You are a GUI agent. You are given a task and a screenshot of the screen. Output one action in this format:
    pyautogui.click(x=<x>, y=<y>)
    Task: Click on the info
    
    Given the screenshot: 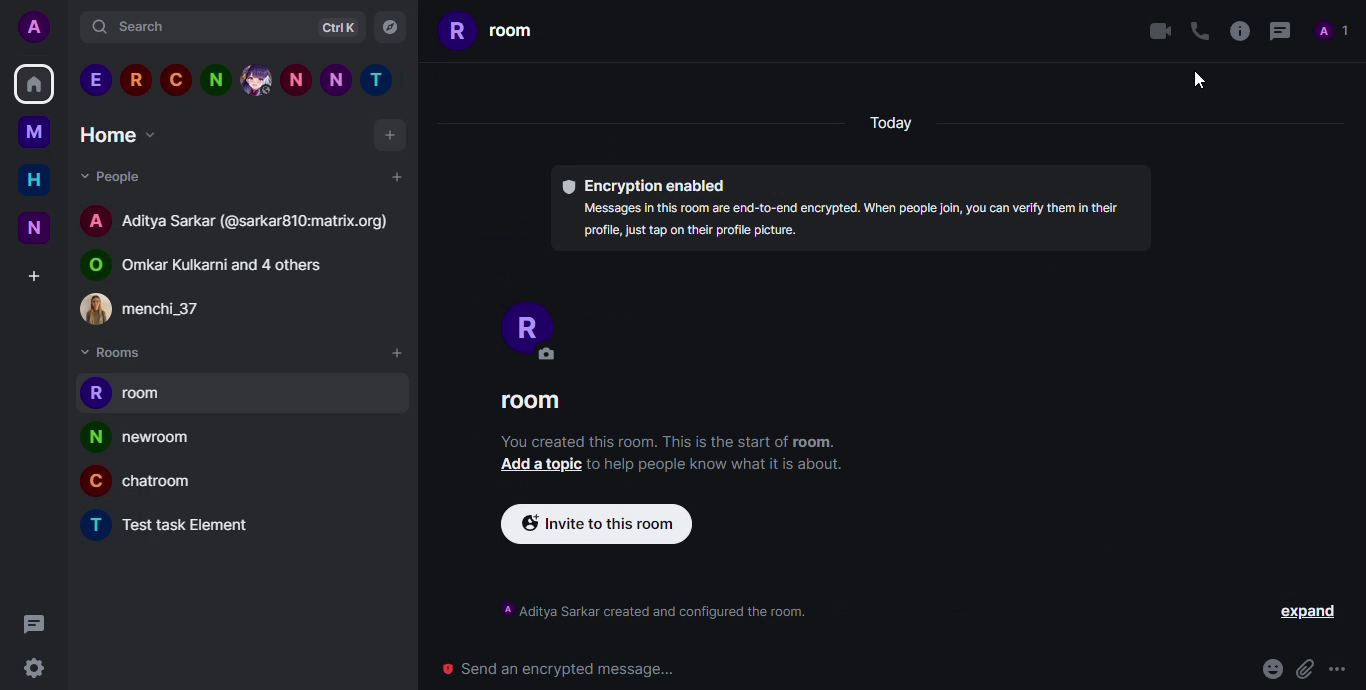 What is the action you would take?
    pyautogui.click(x=1238, y=29)
    